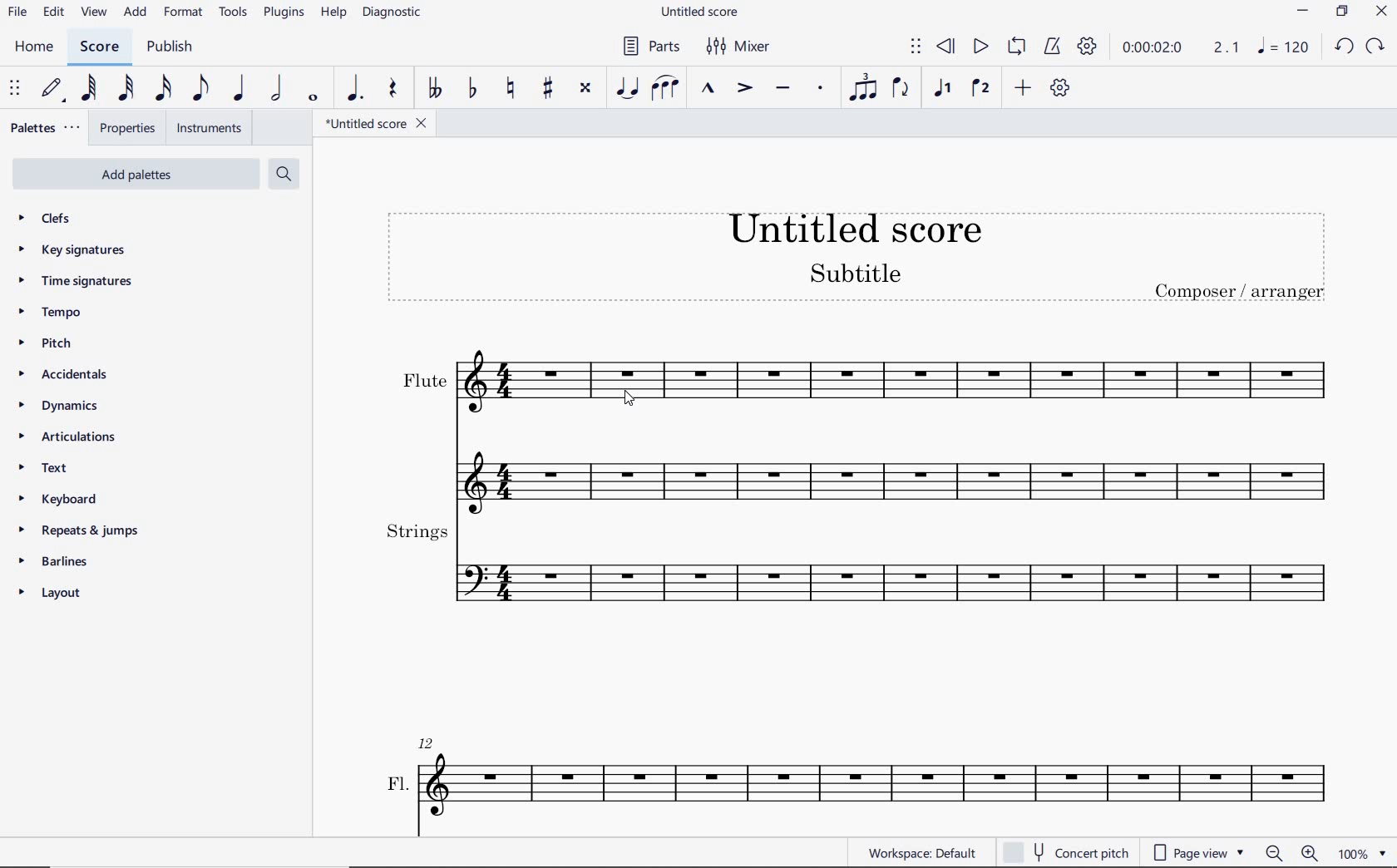 This screenshot has height=868, width=1397. I want to click on PROPERTIES, so click(130, 128).